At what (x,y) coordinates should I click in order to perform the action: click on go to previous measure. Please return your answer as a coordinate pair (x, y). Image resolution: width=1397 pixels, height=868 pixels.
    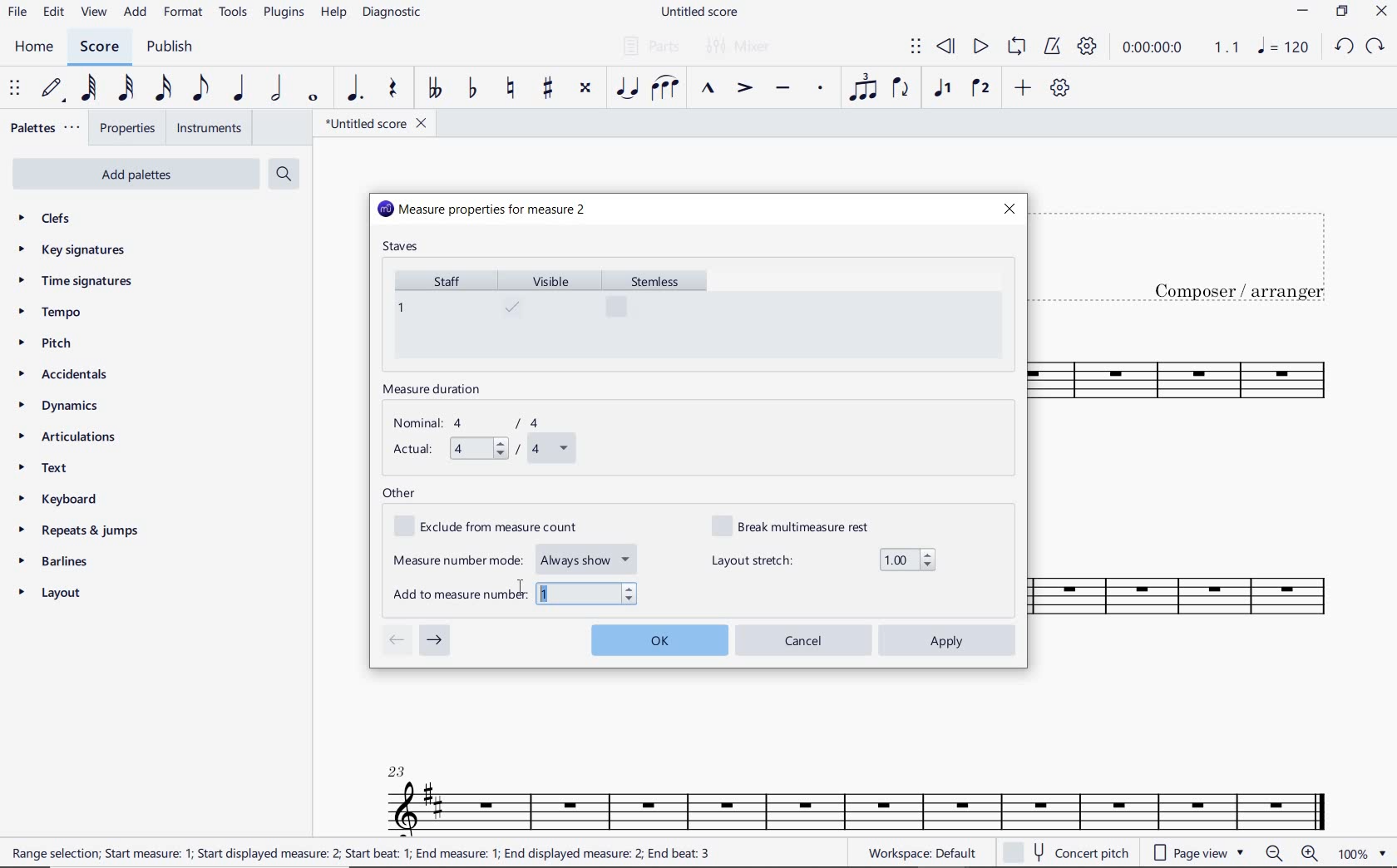
    Looking at the image, I should click on (396, 641).